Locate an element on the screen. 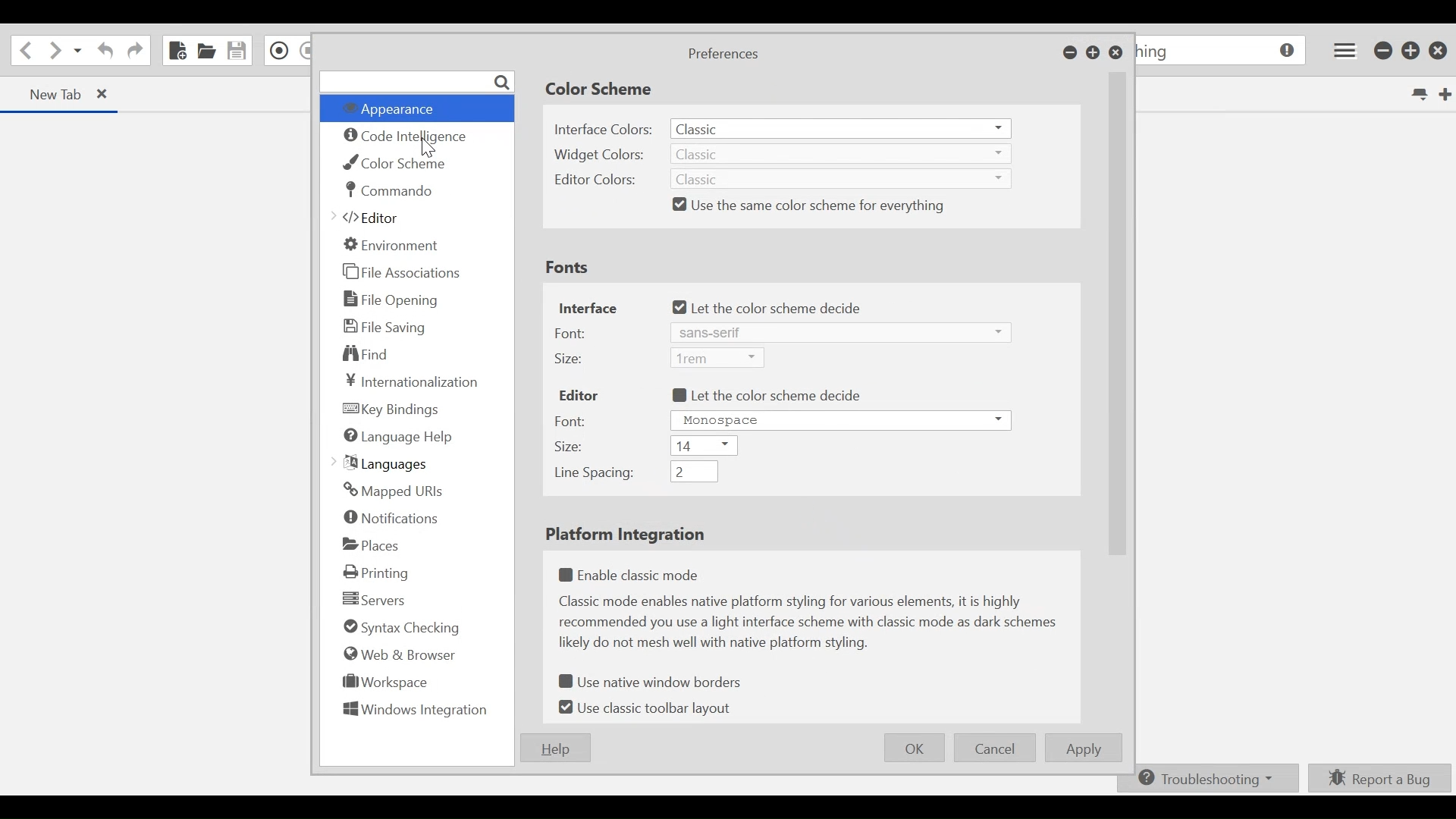  14 is located at coordinates (704, 447).